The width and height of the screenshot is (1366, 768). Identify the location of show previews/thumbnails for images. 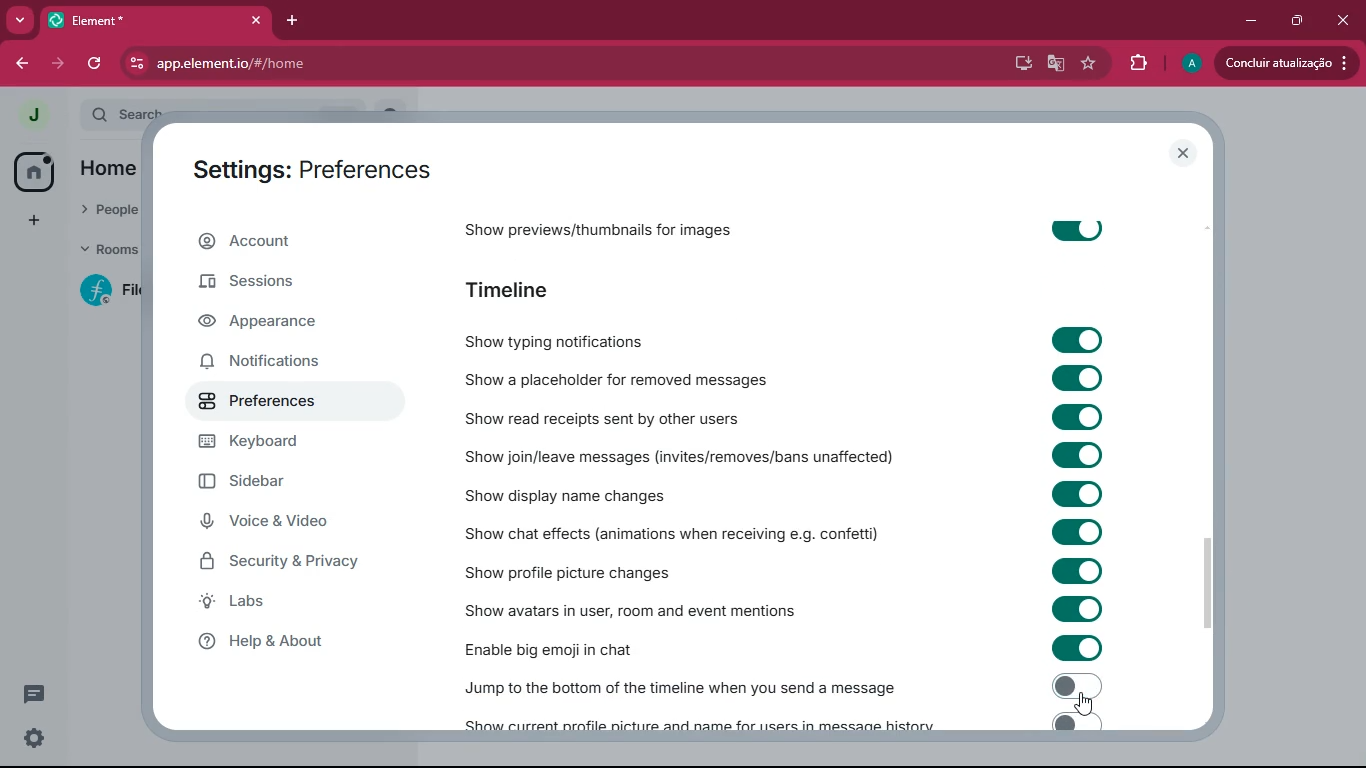
(621, 233).